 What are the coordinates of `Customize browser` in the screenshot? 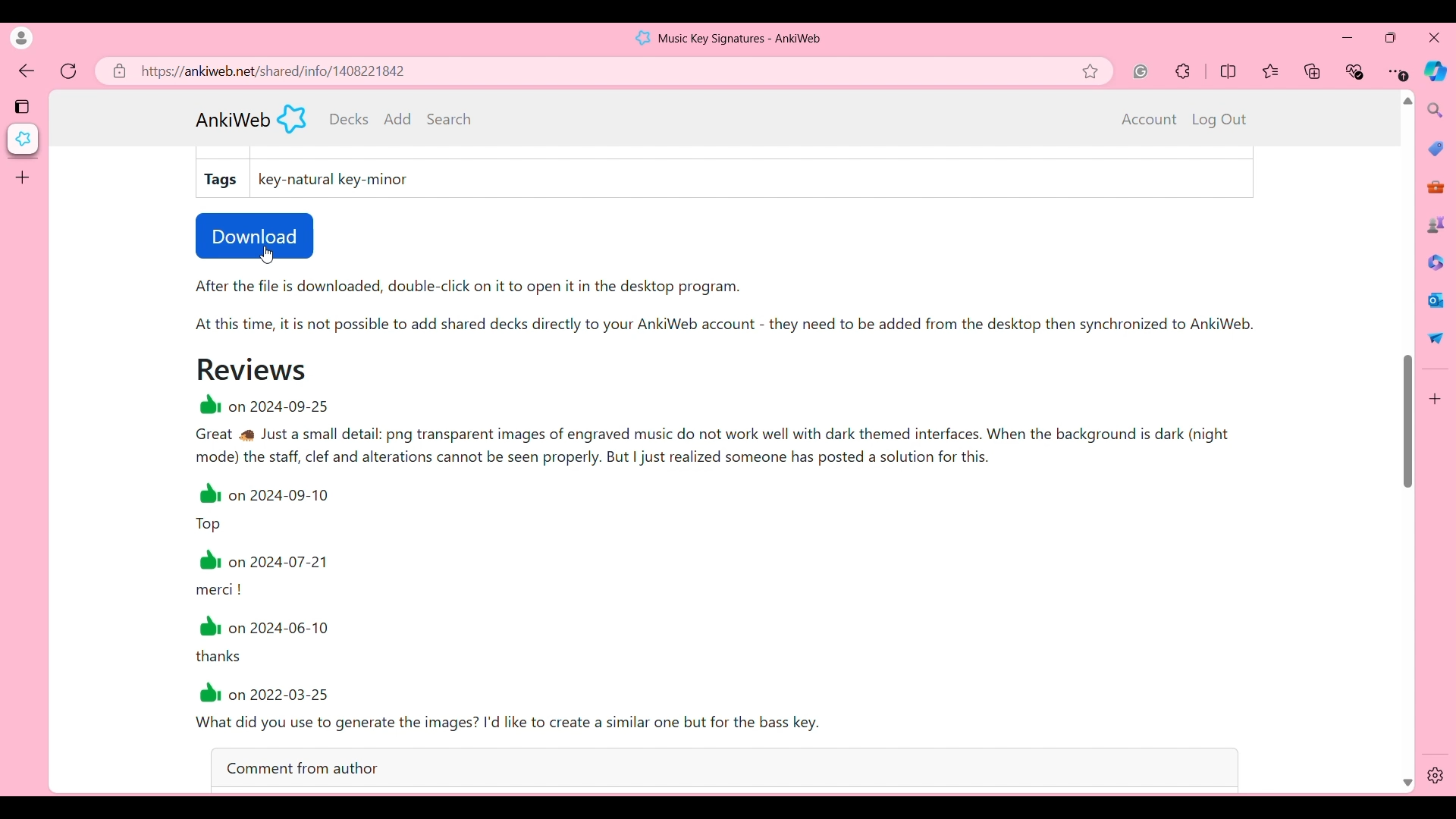 It's located at (1436, 399).